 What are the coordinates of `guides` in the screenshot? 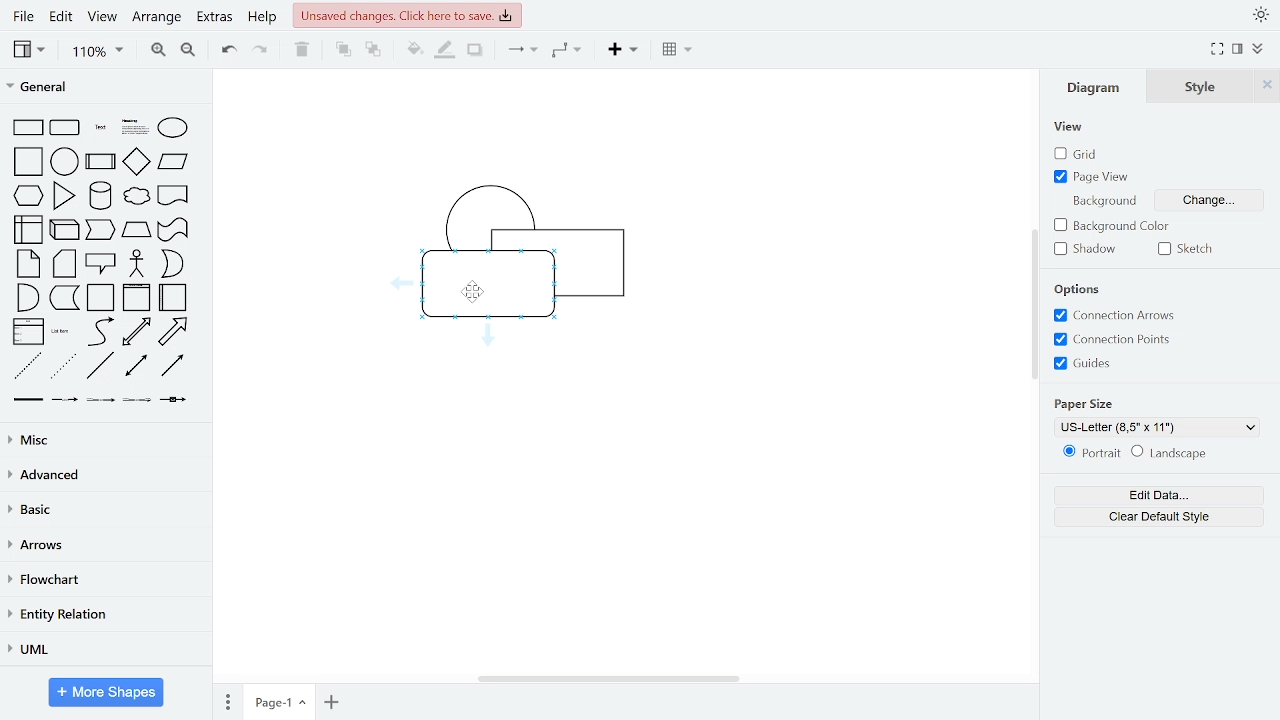 It's located at (1088, 366).